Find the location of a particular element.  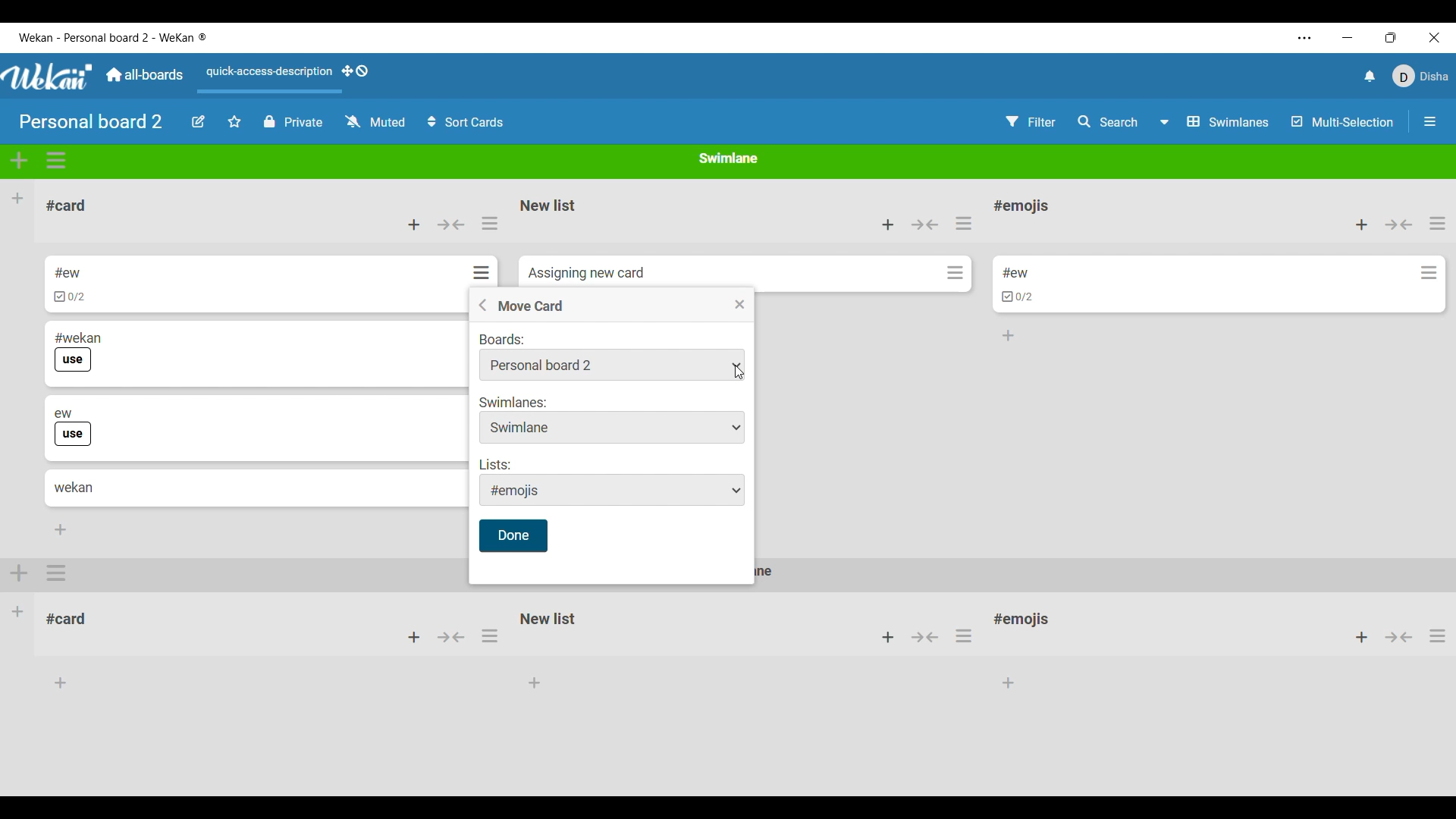

Multi selection is located at coordinates (1343, 122).